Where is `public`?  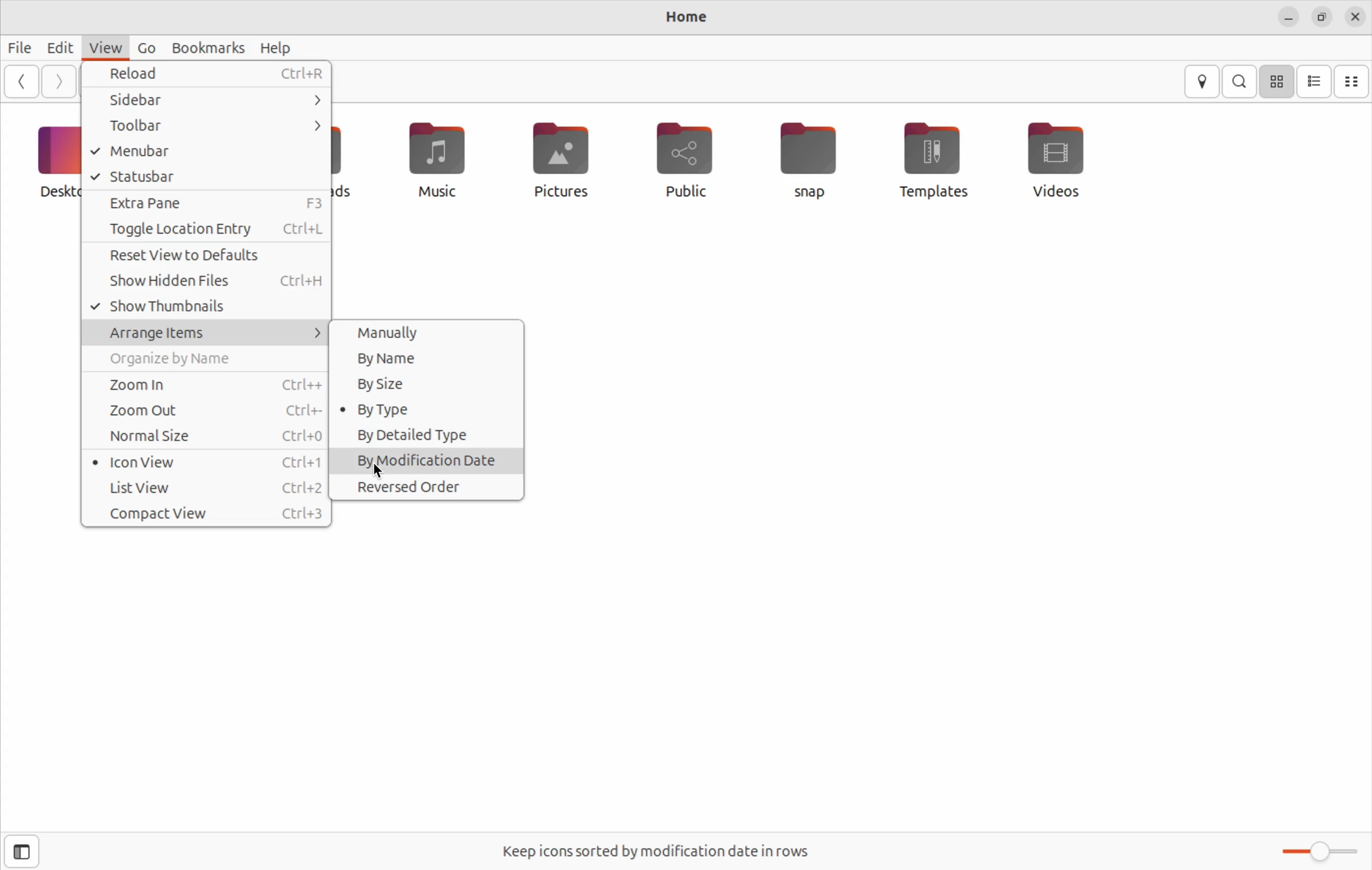 public is located at coordinates (685, 160).